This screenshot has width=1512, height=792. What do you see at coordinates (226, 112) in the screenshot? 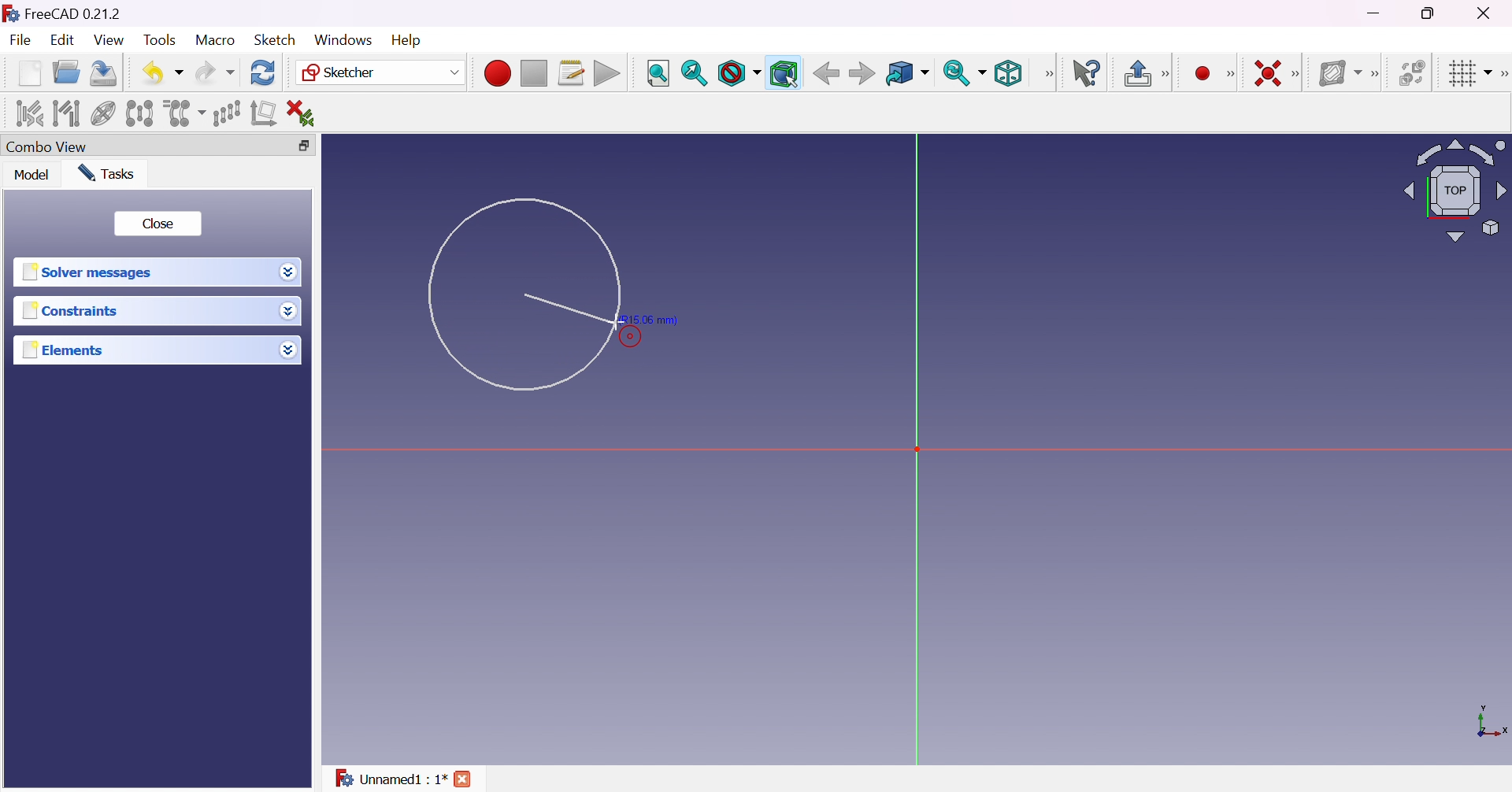
I see `Rectangular array` at bounding box center [226, 112].